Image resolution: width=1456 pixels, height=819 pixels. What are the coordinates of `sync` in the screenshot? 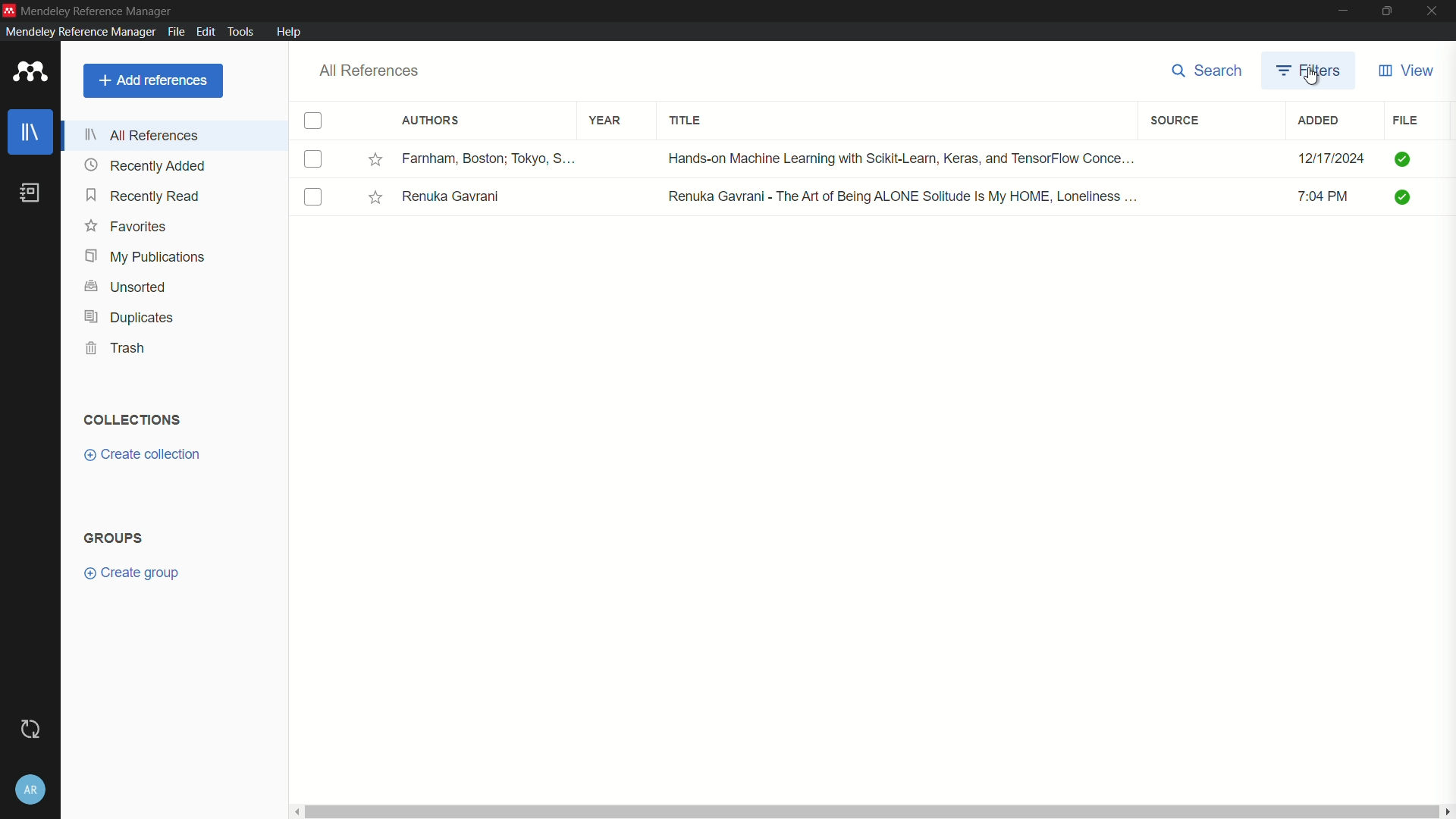 It's located at (31, 730).